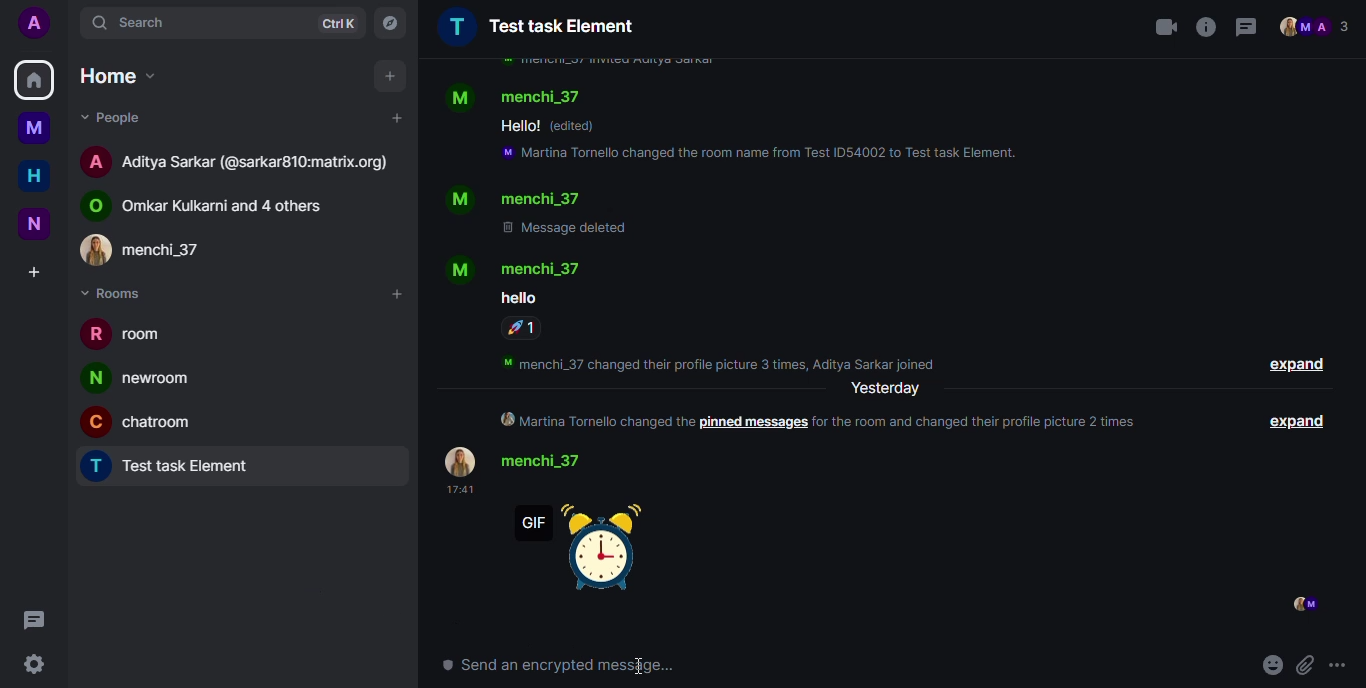  What do you see at coordinates (518, 96) in the screenshot?
I see `menchi_37` at bounding box center [518, 96].